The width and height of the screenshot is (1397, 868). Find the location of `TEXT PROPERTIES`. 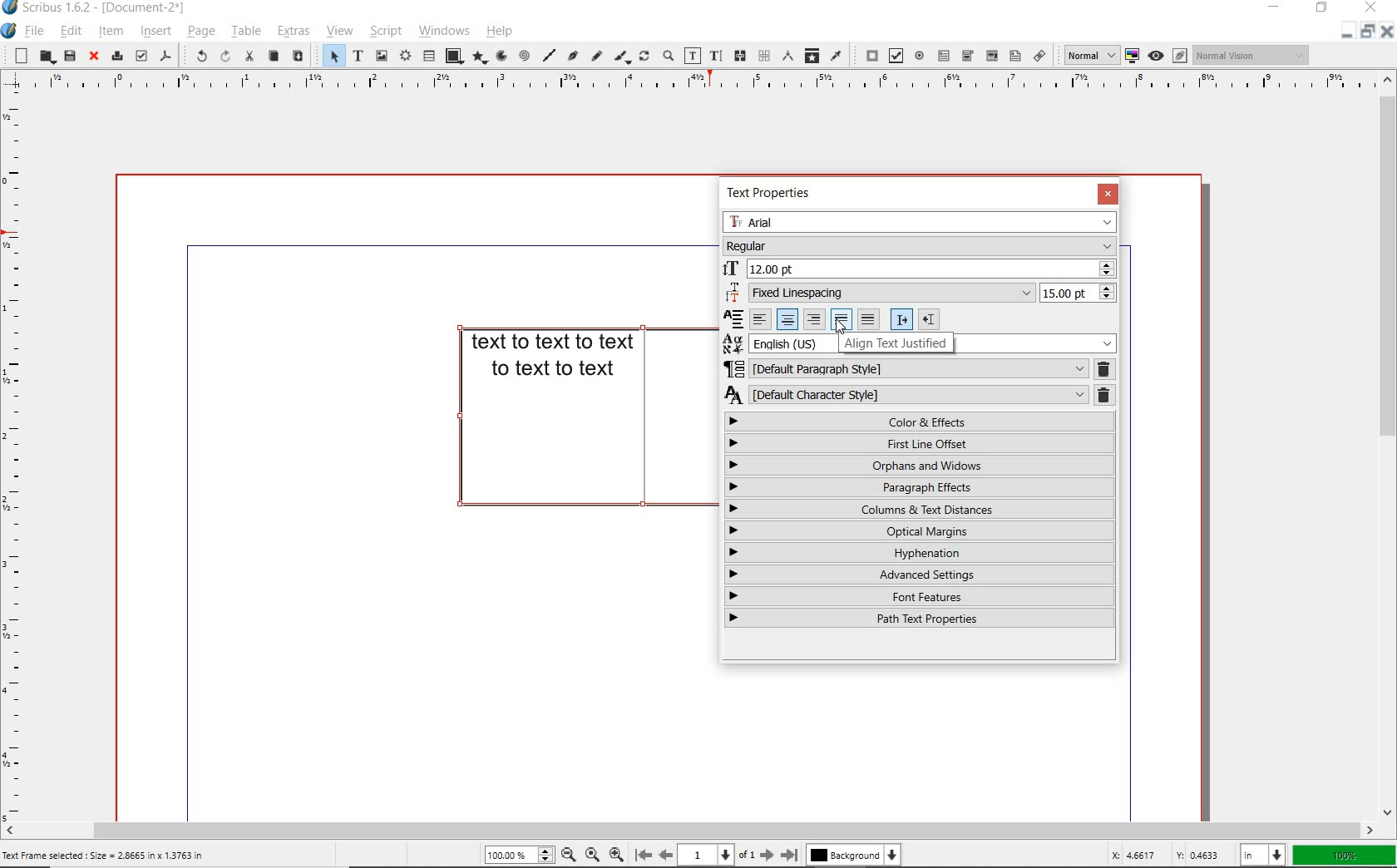

TEXT PROPERTIES is located at coordinates (772, 193).